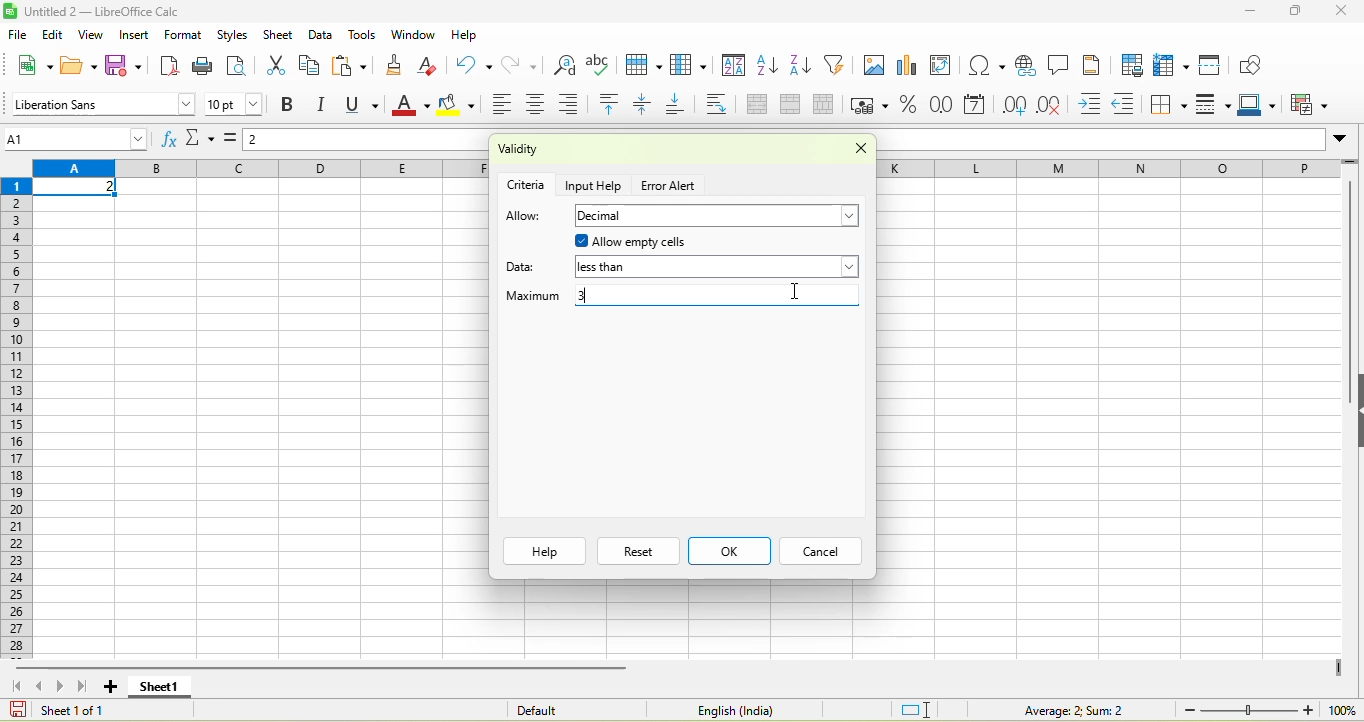 The width and height of the screenshot is (1364, 722). What do you see at coordinates (612, 105) in the screenshot?
I see `align top` at bounding box center [612, 105].